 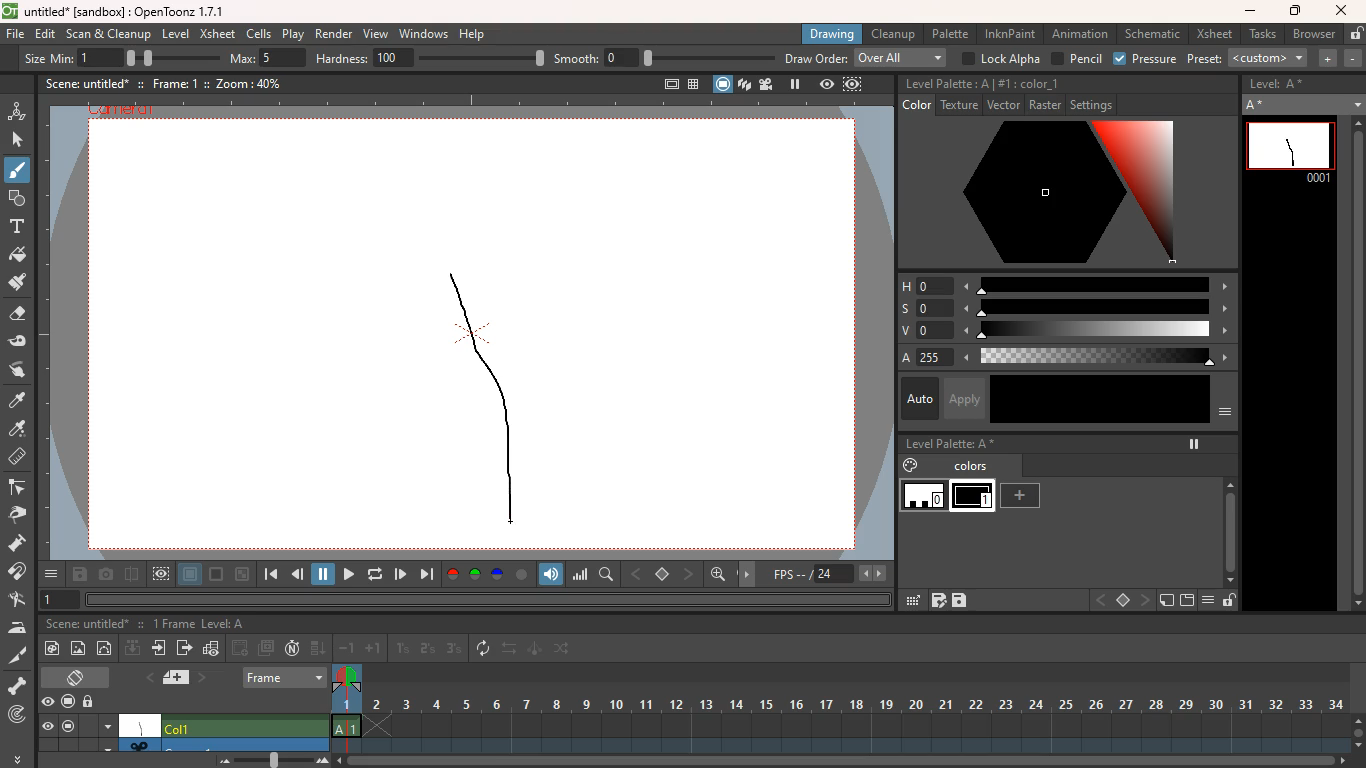 I want to click on select, so click(x=19, y=140).